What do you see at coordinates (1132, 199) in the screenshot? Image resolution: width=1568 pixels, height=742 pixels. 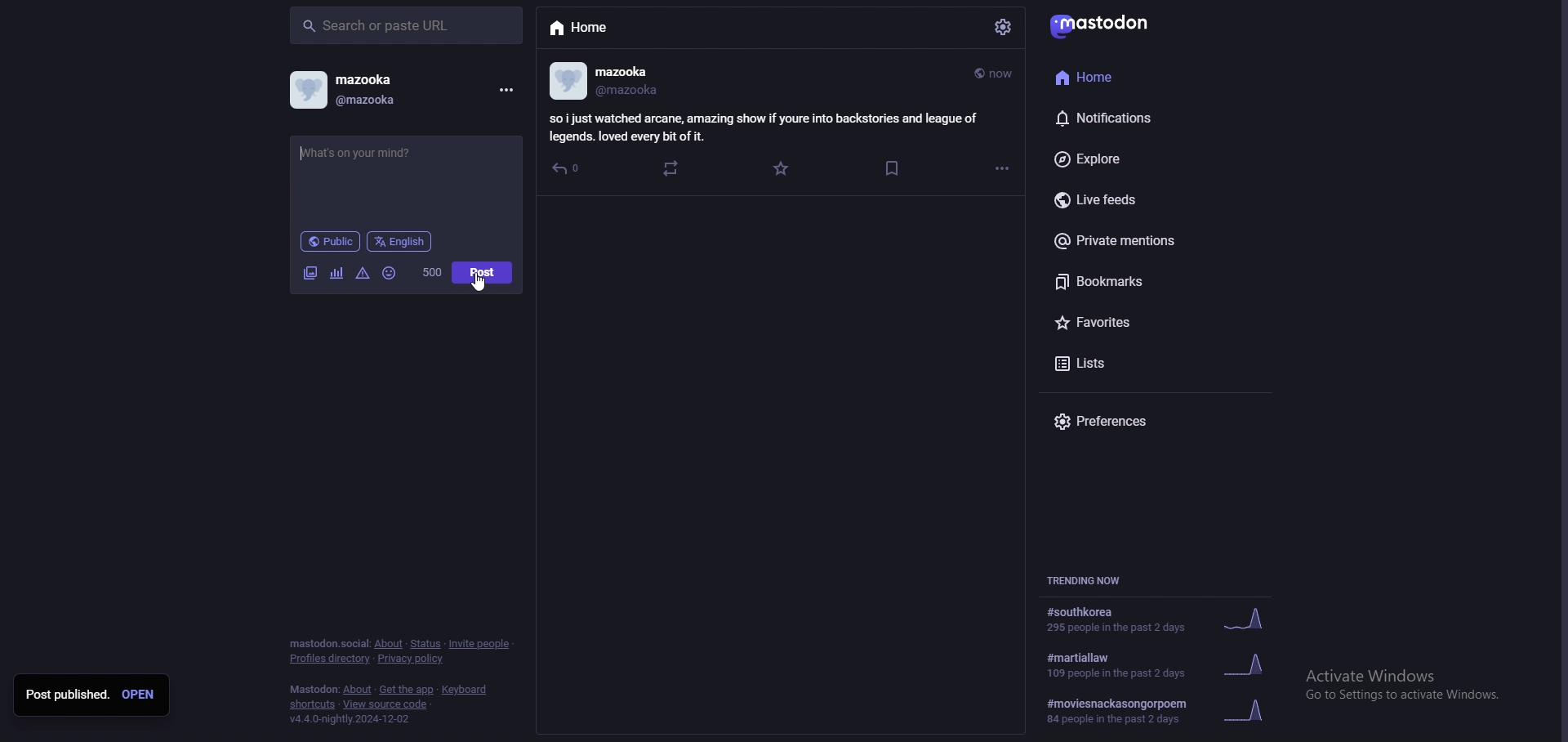 I see `live feeds` at bounding box center [1132, 199].